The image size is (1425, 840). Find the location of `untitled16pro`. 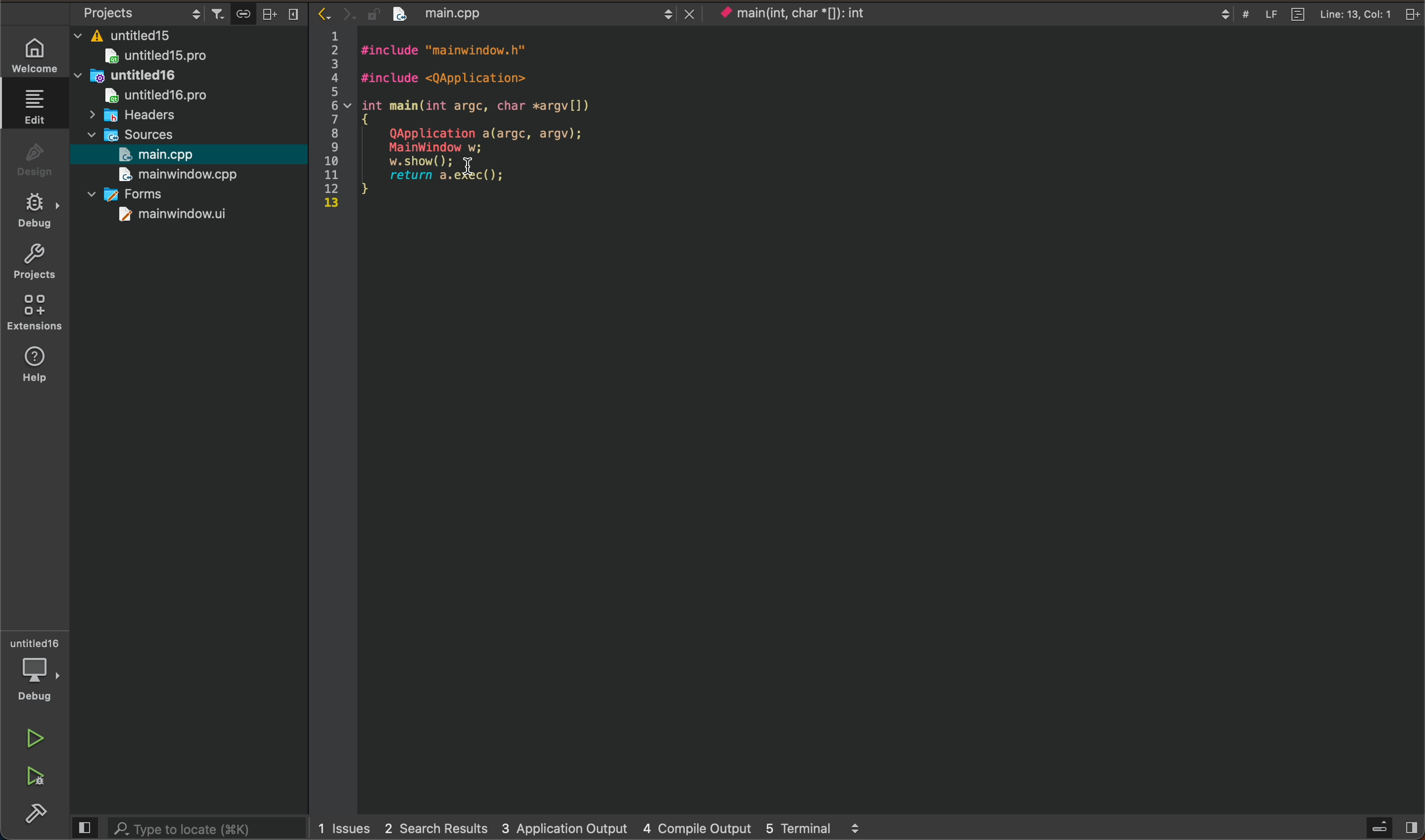

untitled16pro is located at coordinates (159, 95).